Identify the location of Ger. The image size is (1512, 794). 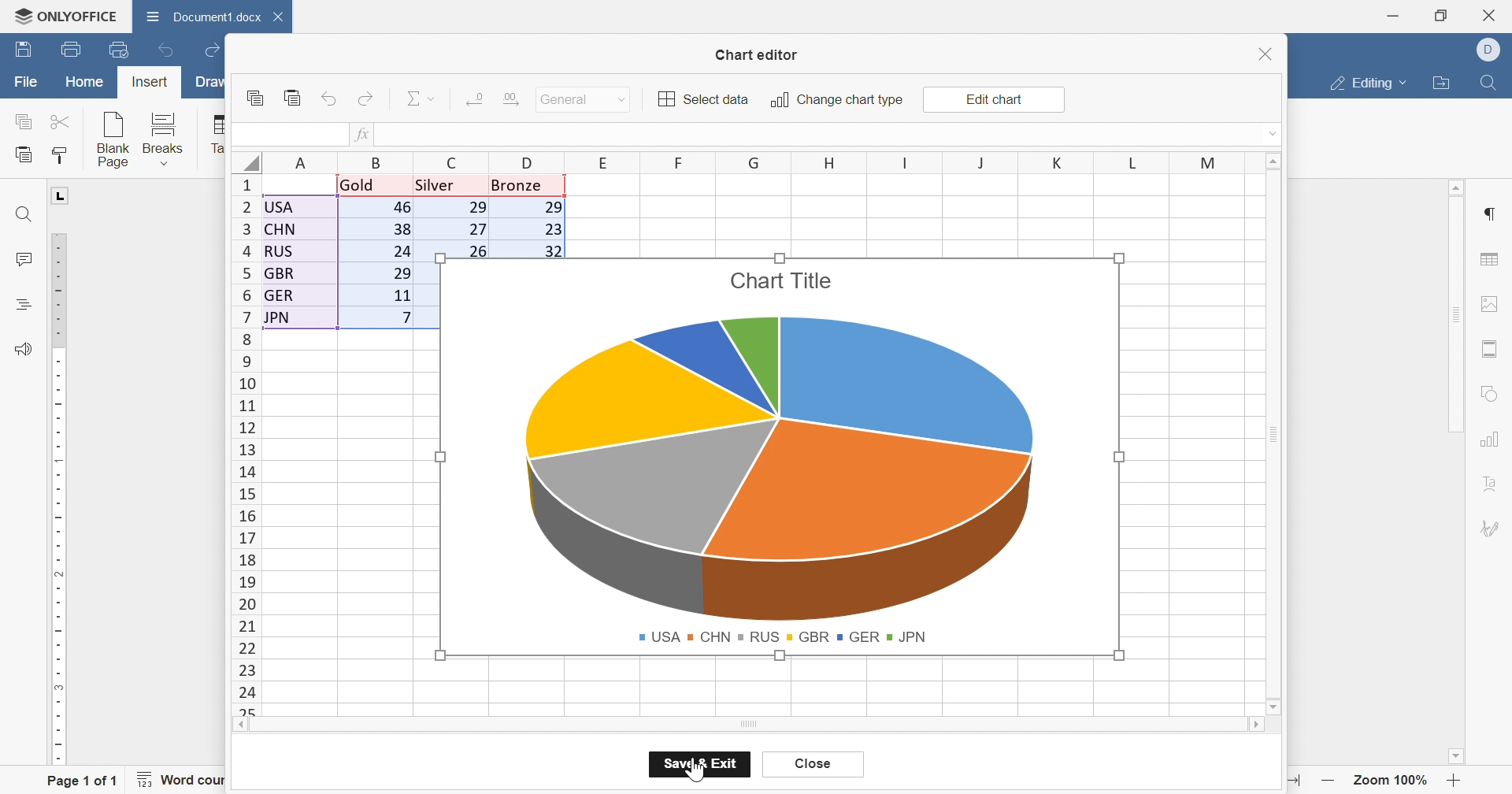
(861, 637).